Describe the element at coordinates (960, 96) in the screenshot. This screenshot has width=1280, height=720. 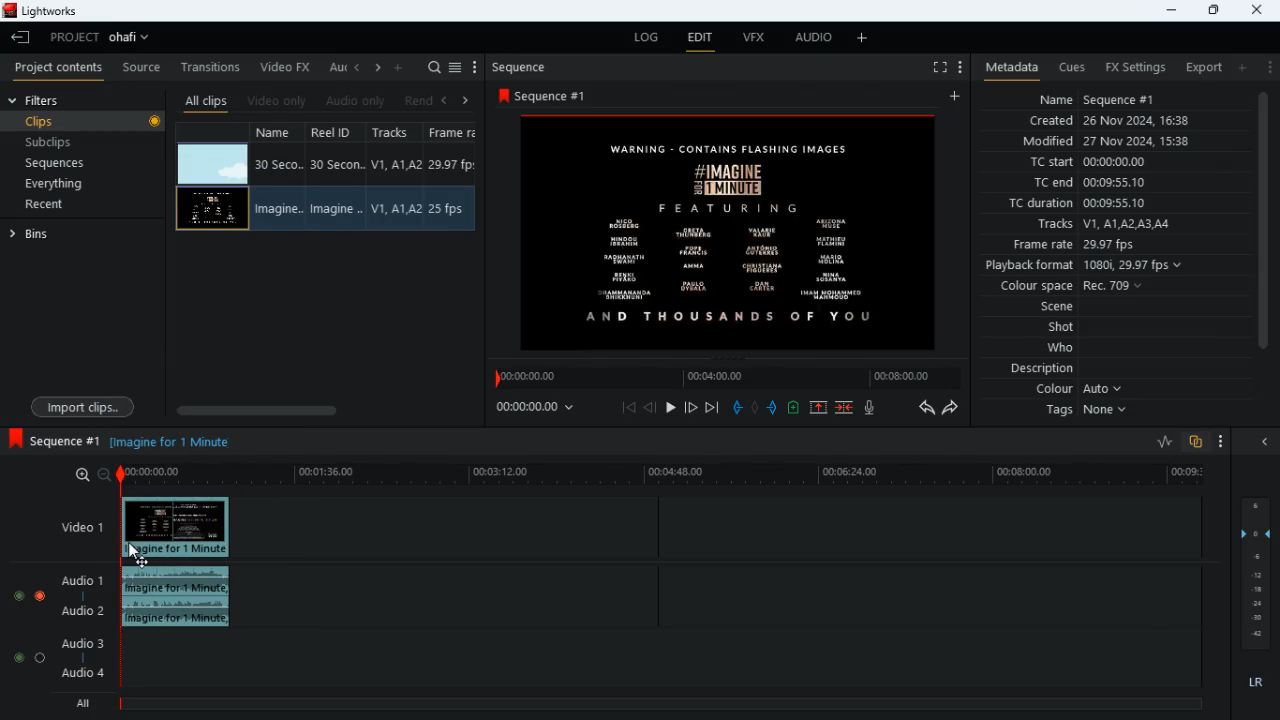
I see `add` at that location.